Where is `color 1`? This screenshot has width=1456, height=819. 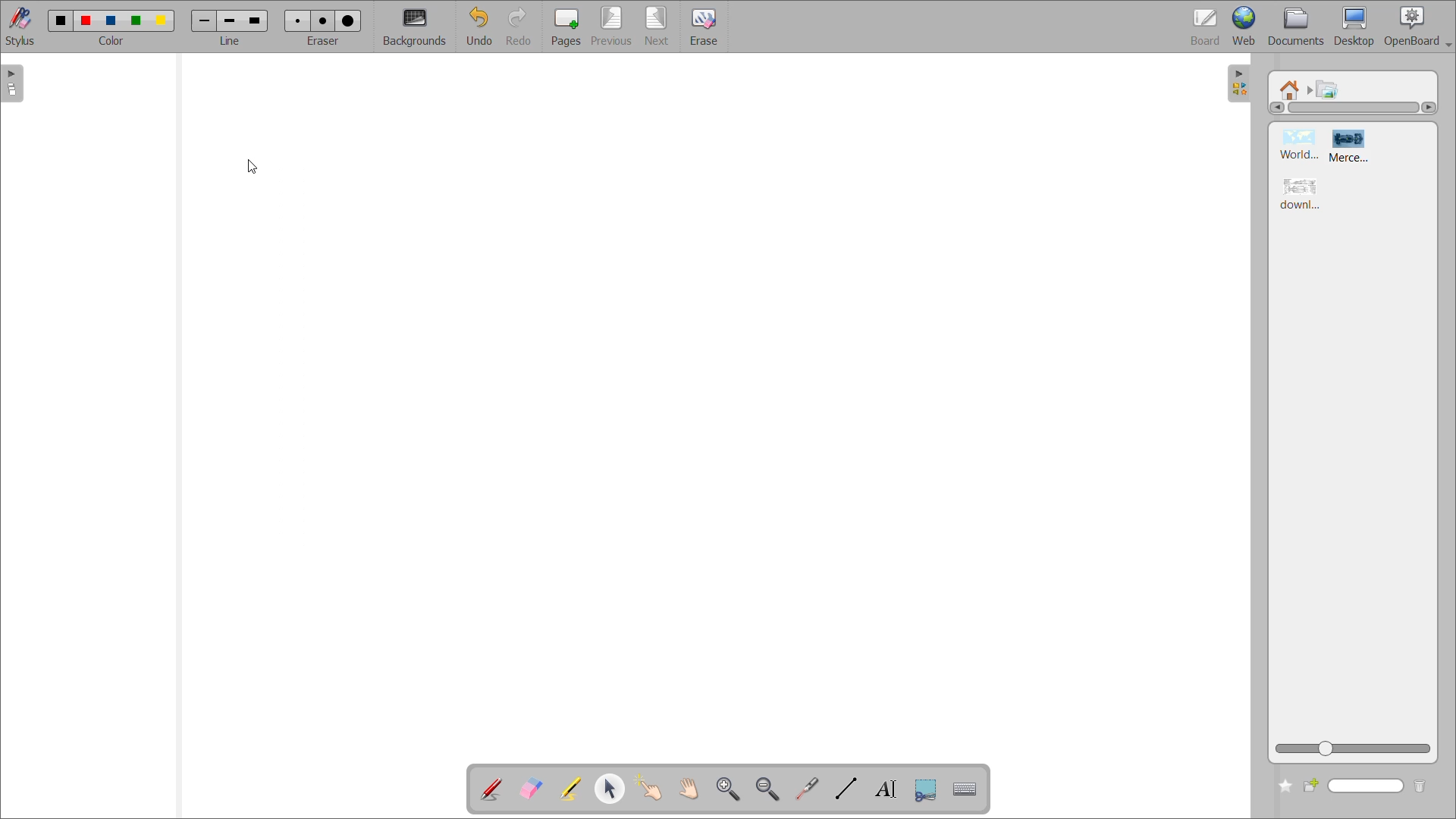
color 1 is located at coordinates (59, 21).